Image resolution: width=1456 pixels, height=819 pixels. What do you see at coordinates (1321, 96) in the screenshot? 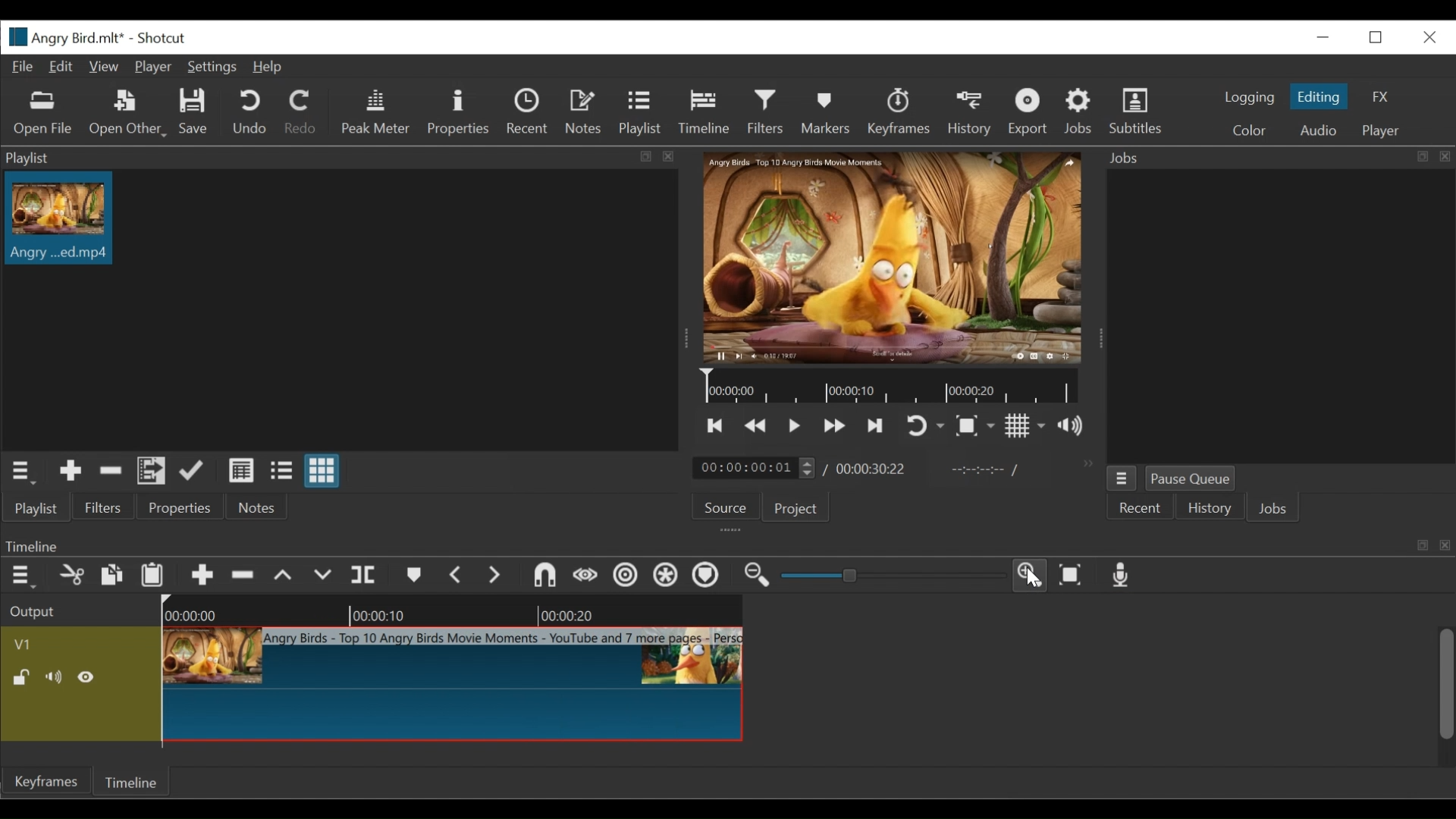
I see `Editing` at bounding box center [1321, 96].